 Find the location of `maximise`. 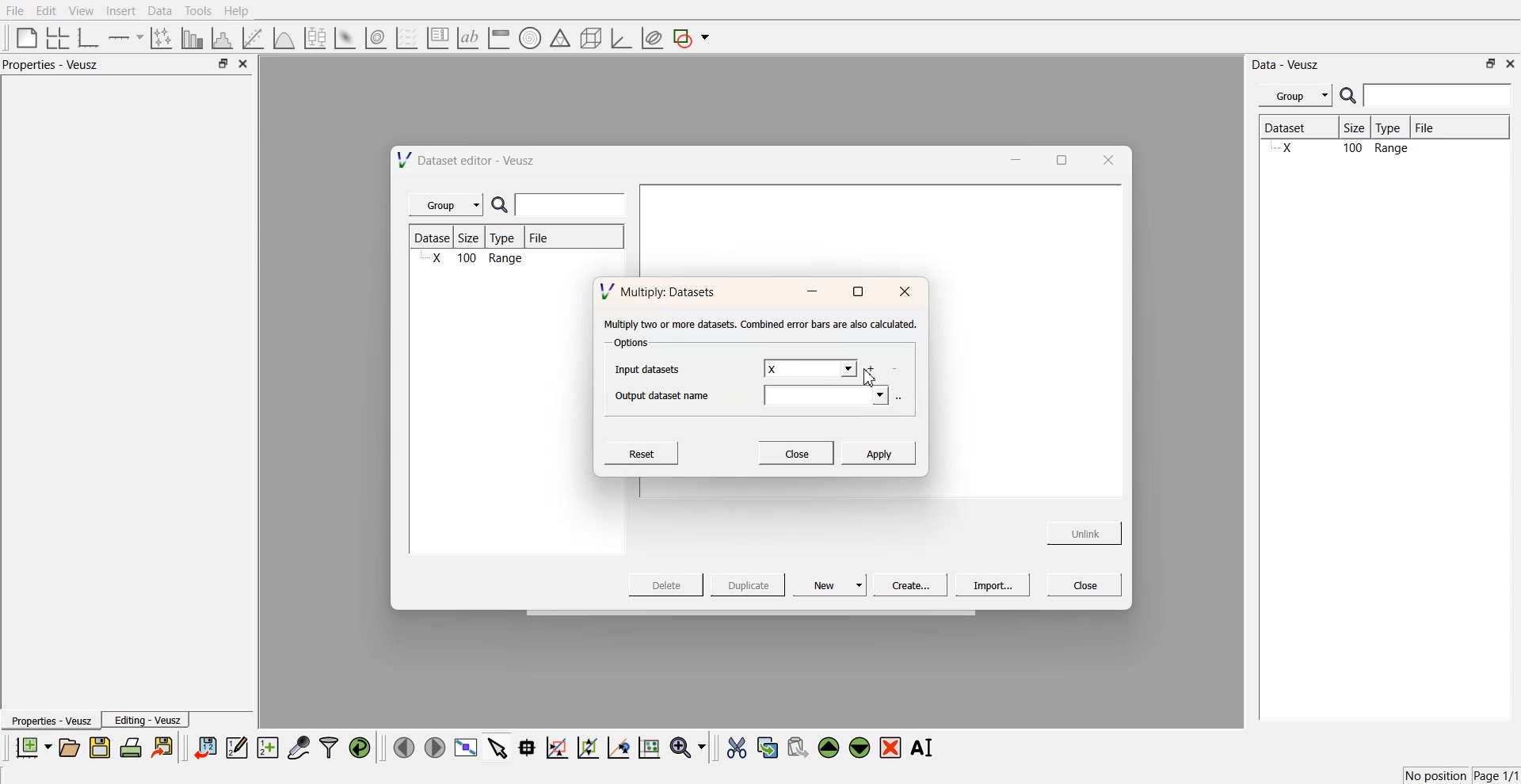

maximise is located at coordinates (857, 292).